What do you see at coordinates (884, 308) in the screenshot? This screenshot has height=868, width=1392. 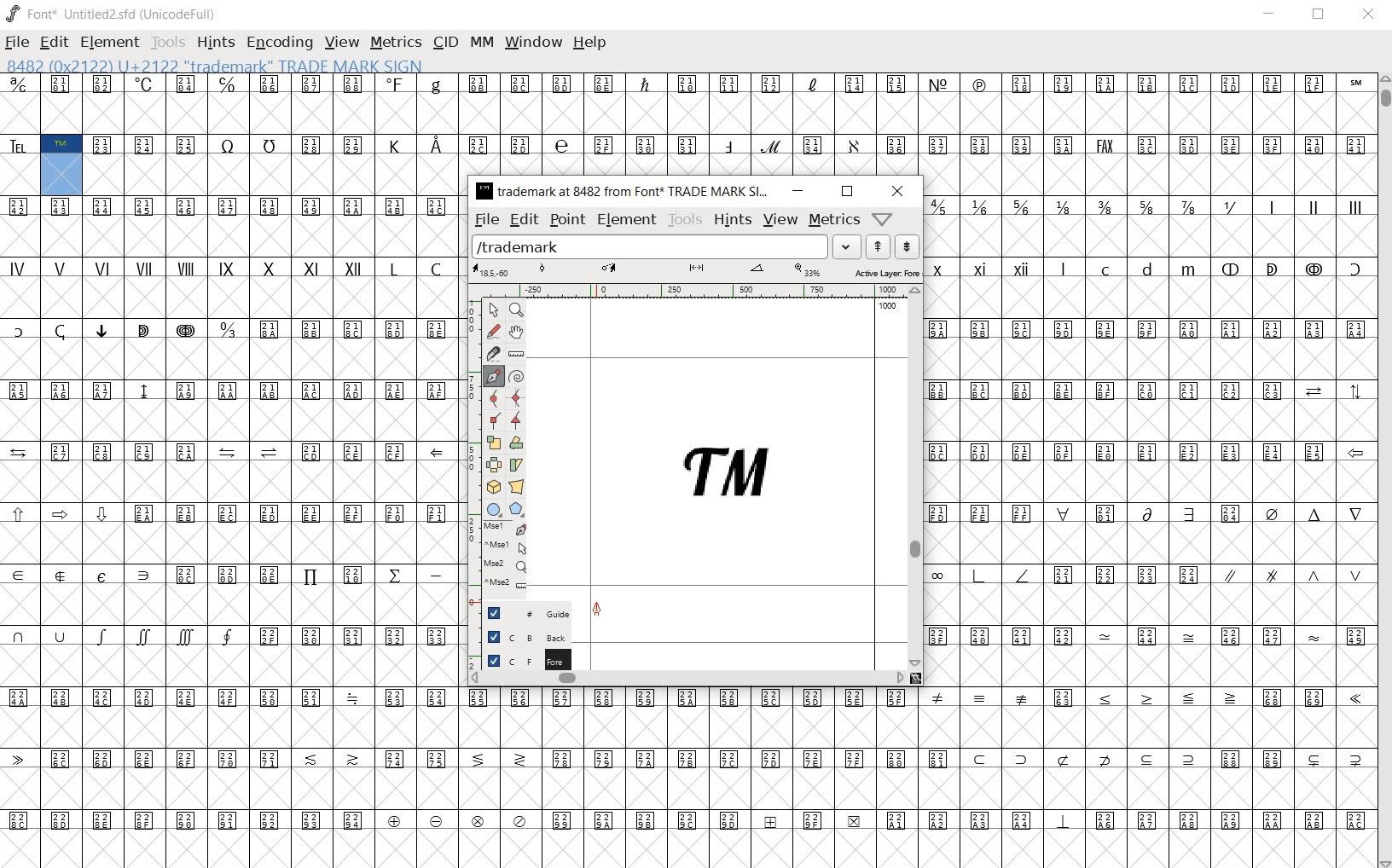 I see `1000` at bounding box center [884, 308].